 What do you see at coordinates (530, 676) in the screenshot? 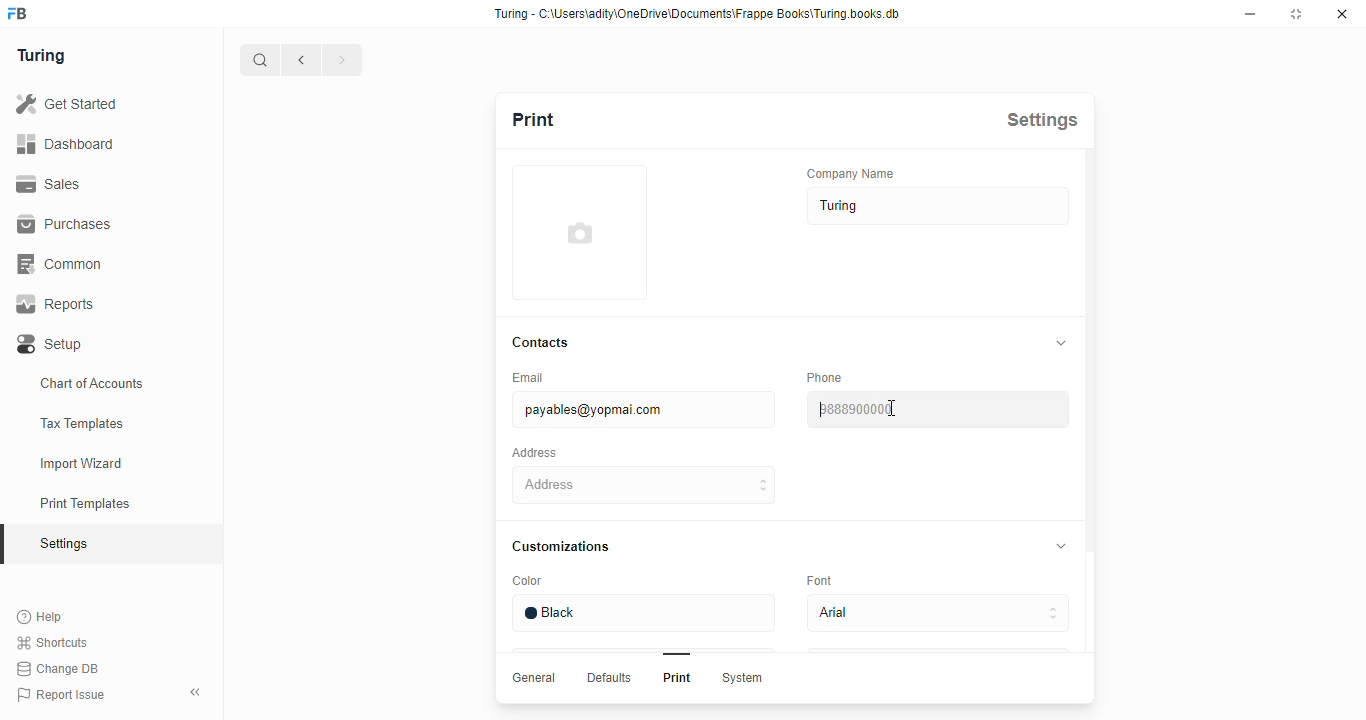
I see `General` at bounding box center [530, 676].